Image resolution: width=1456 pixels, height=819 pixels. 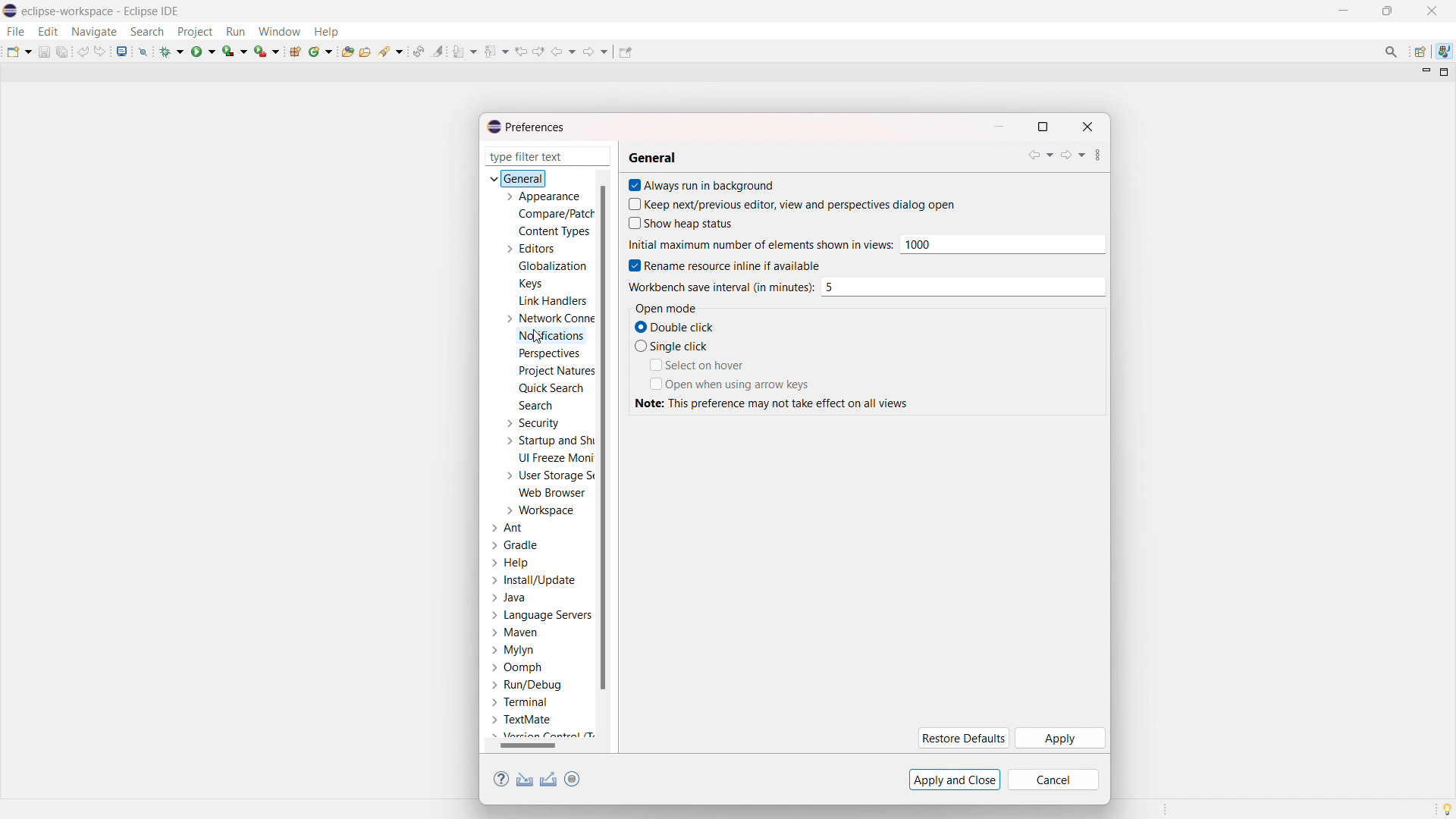 What do you see at coordinates (194, 32) in the screenshot?
I see `project` at bounding box center [194, 32].